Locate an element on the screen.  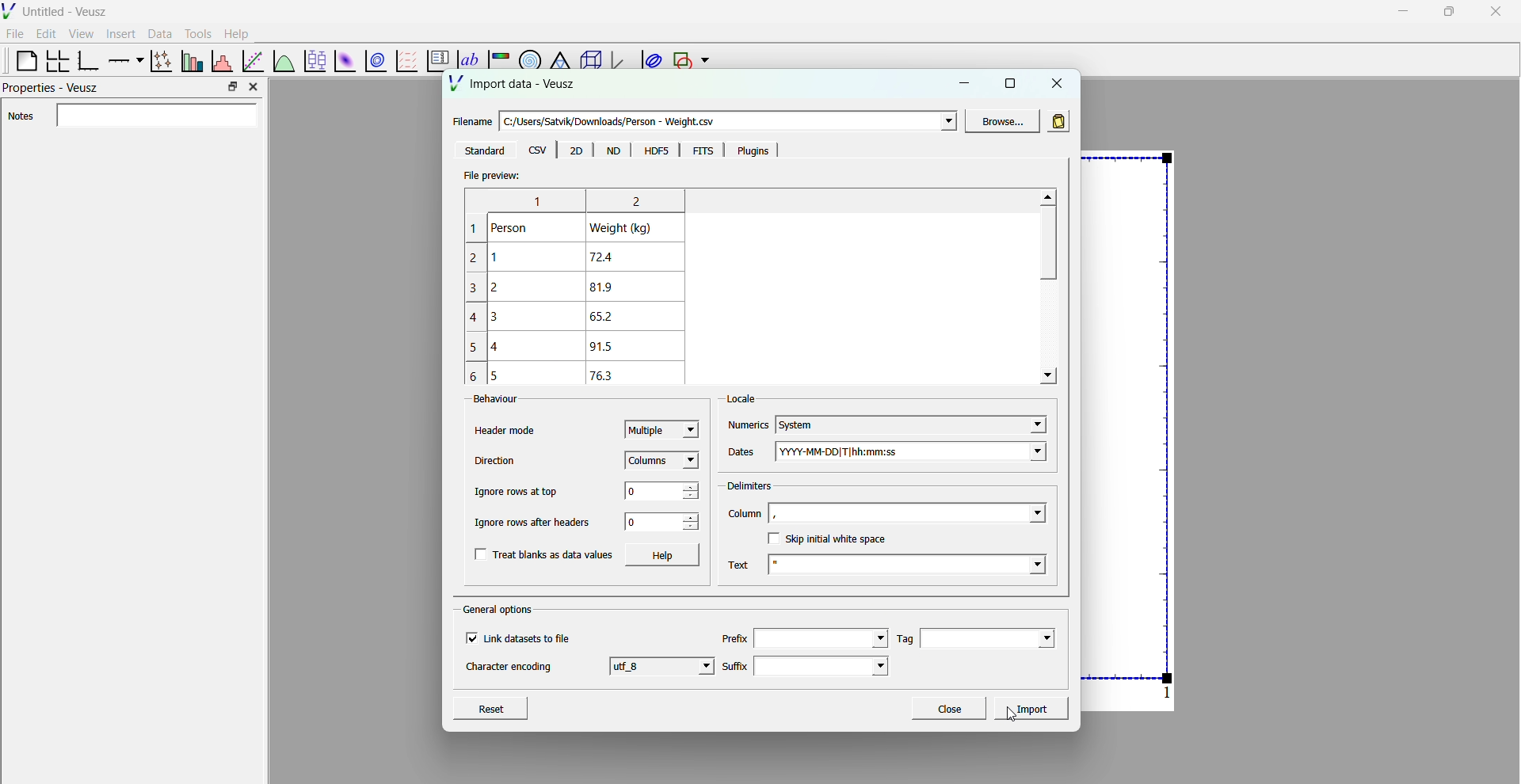
Numerics is located at coordinates (747, 419).